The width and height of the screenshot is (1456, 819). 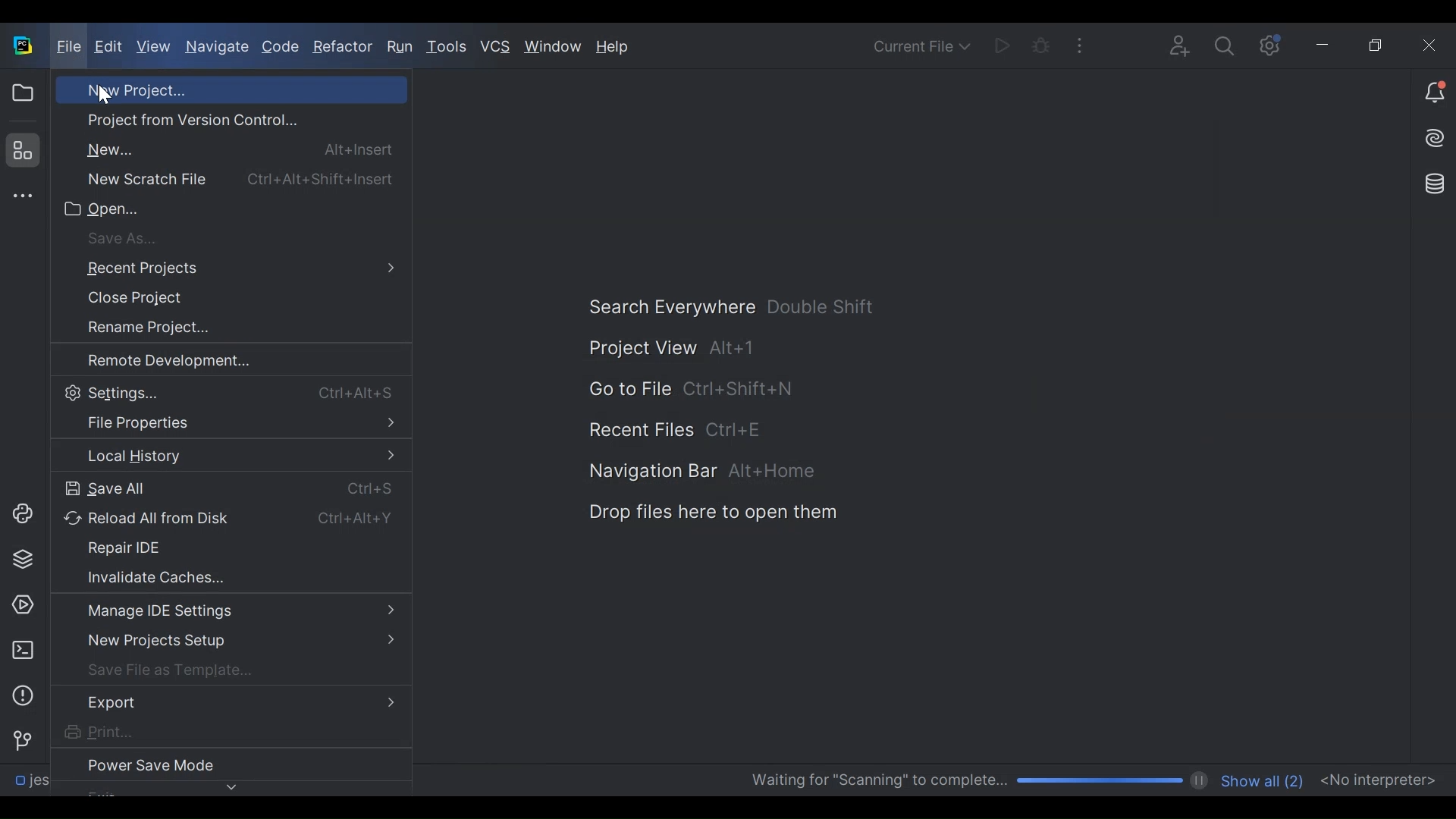 What do you see at coordinates (643, 347) in the screenshot?
I see `Project View` at bounding box center [643, 347].